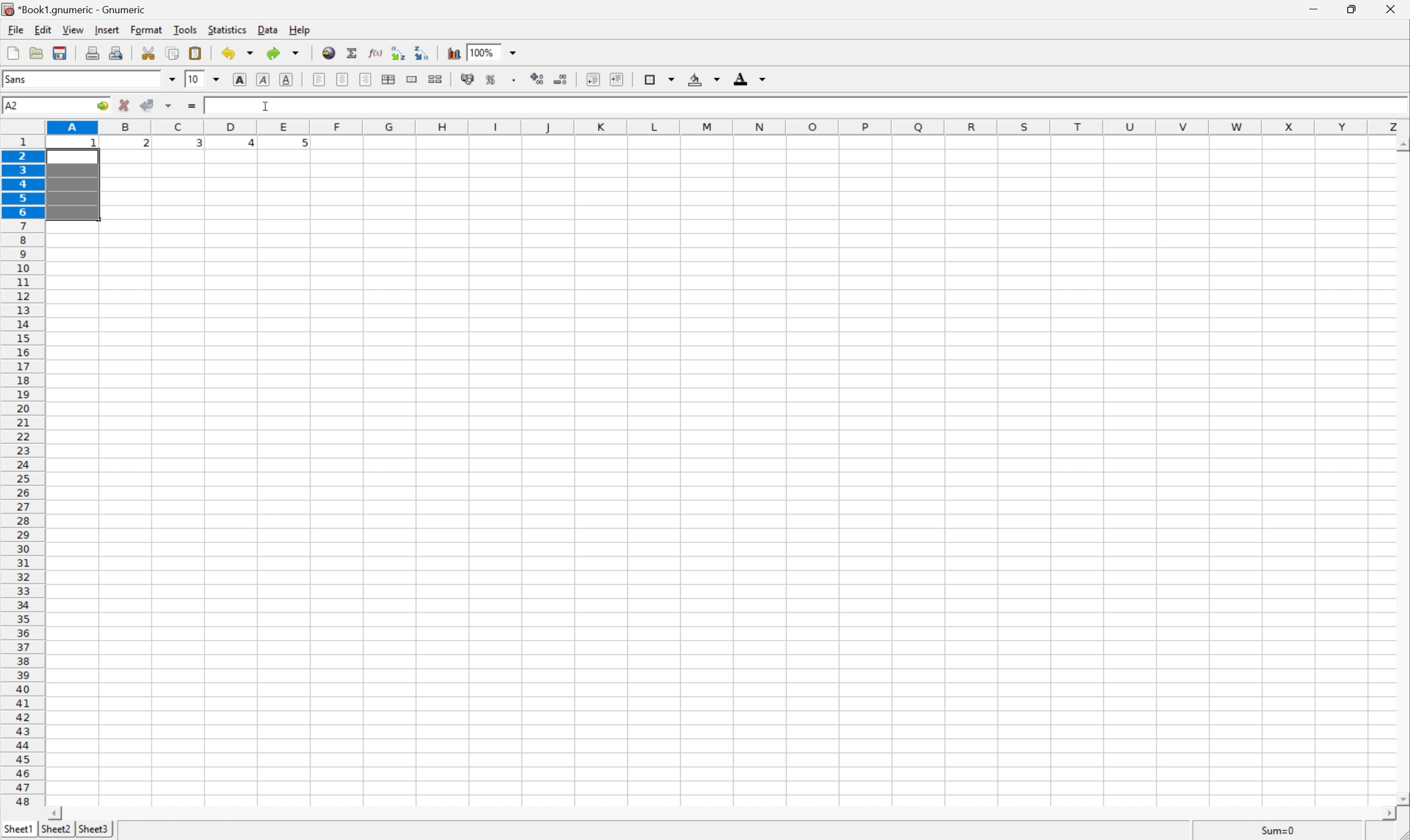 The height and width of the screenshot is (840, 1410). Describe the element at coordinates (728, 125) in the screenshot. I see `column names` at that location.